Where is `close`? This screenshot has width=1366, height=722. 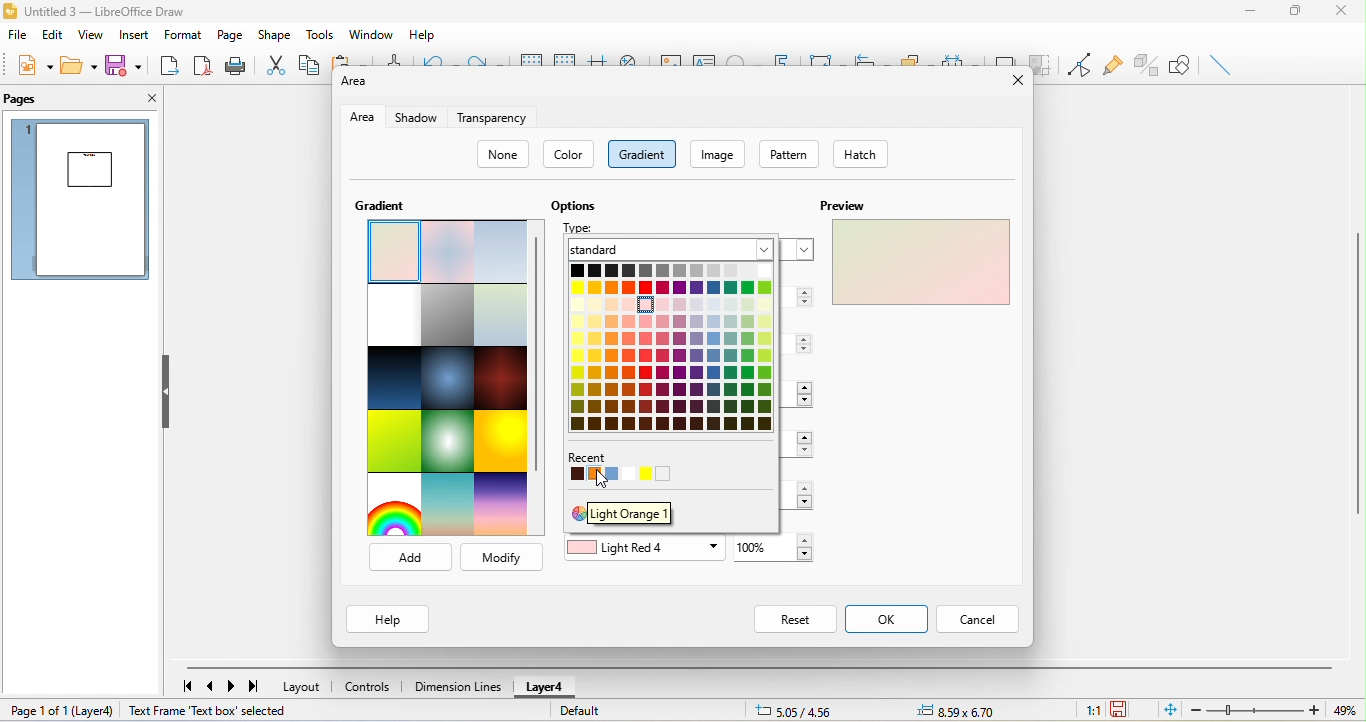
close is located at coordinates (1345, 11).